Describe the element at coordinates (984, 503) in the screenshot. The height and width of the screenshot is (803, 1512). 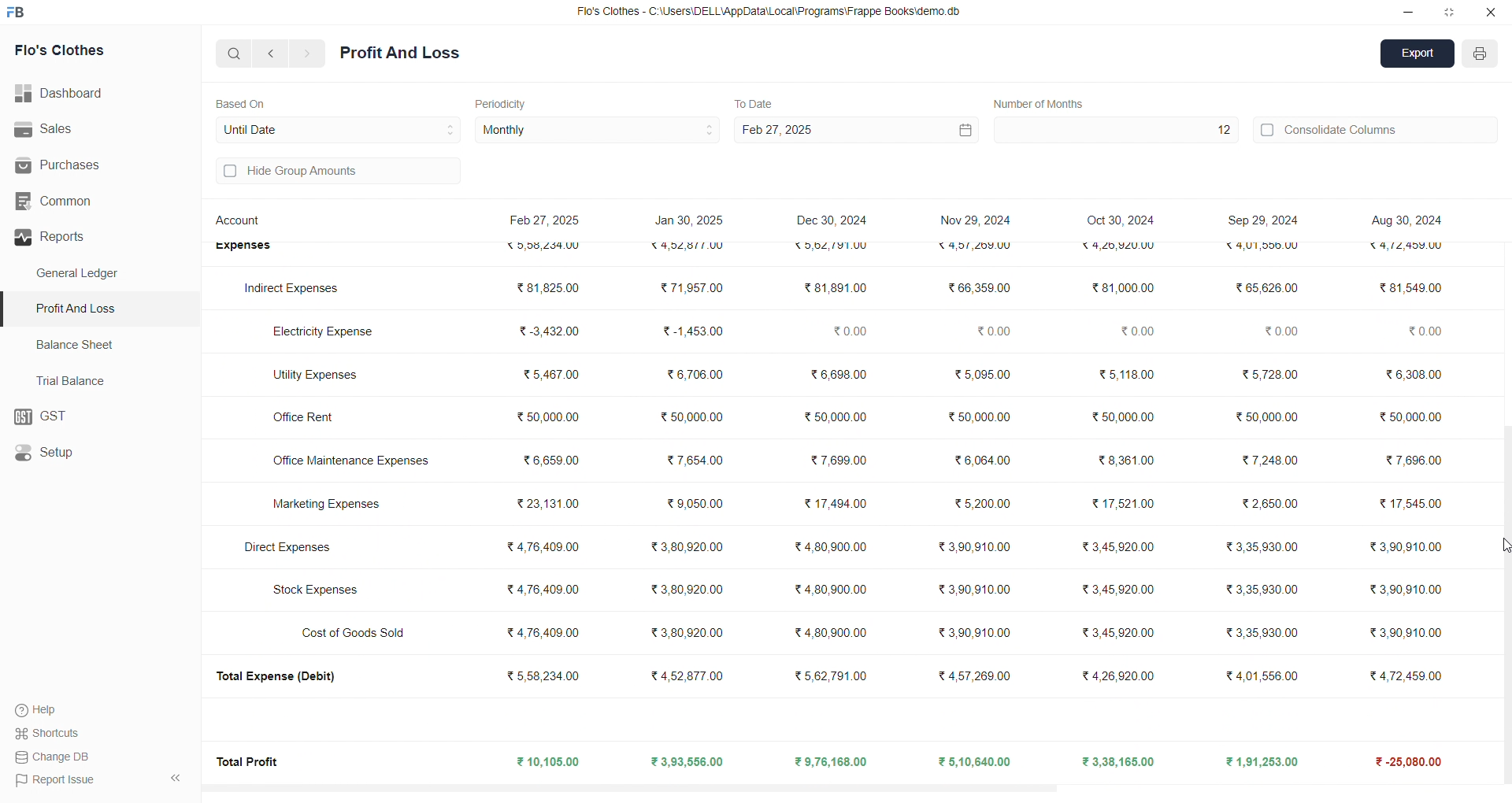
I see `₹5200.00` at that location.